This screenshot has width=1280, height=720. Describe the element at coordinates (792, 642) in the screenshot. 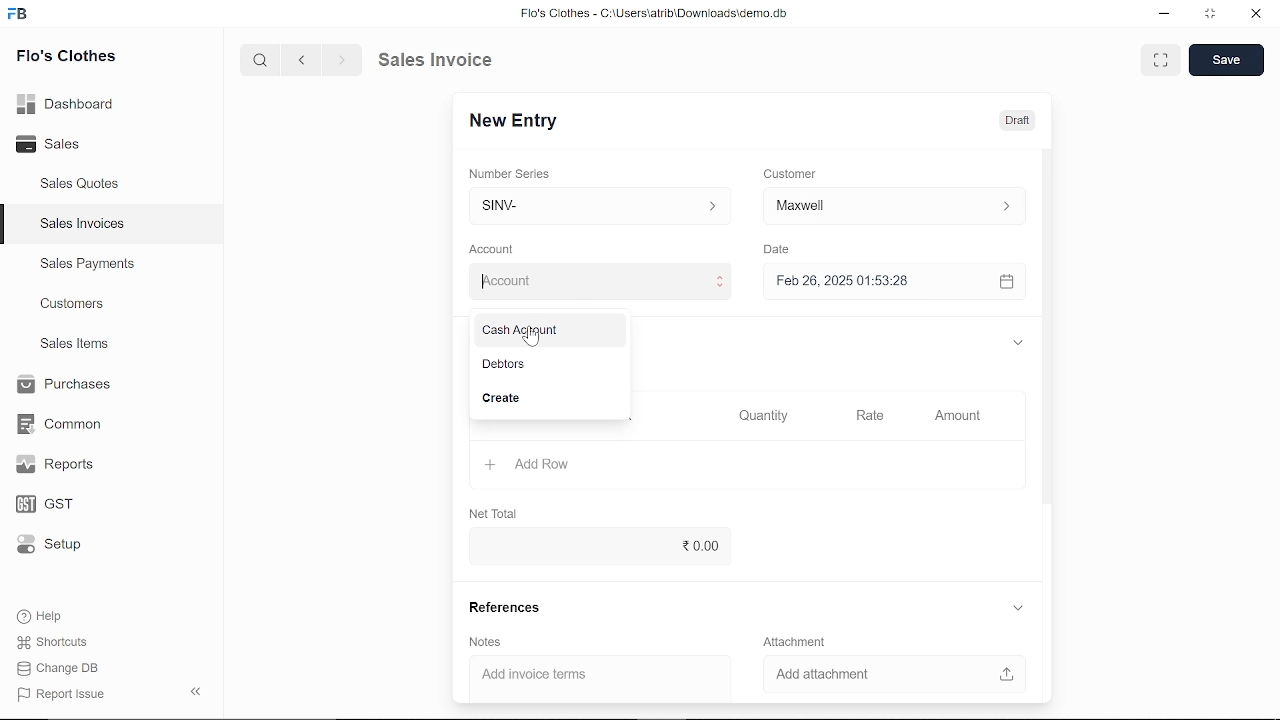

I see `‘Attachment` at that location.